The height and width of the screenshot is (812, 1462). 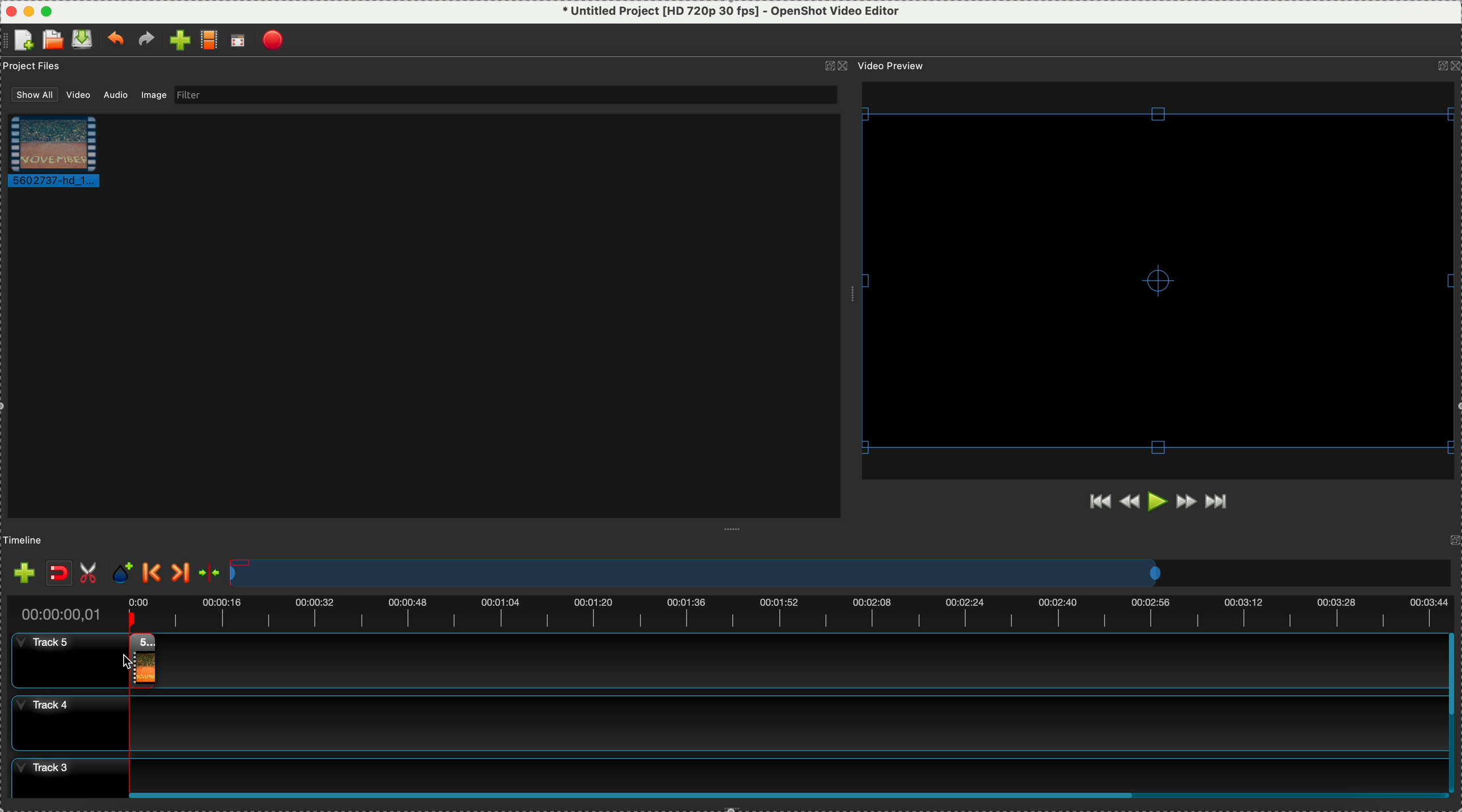 What do you see at coordinates (46, 10) in the screenshot?
I see `maximize` at bounding box center [46, 10].